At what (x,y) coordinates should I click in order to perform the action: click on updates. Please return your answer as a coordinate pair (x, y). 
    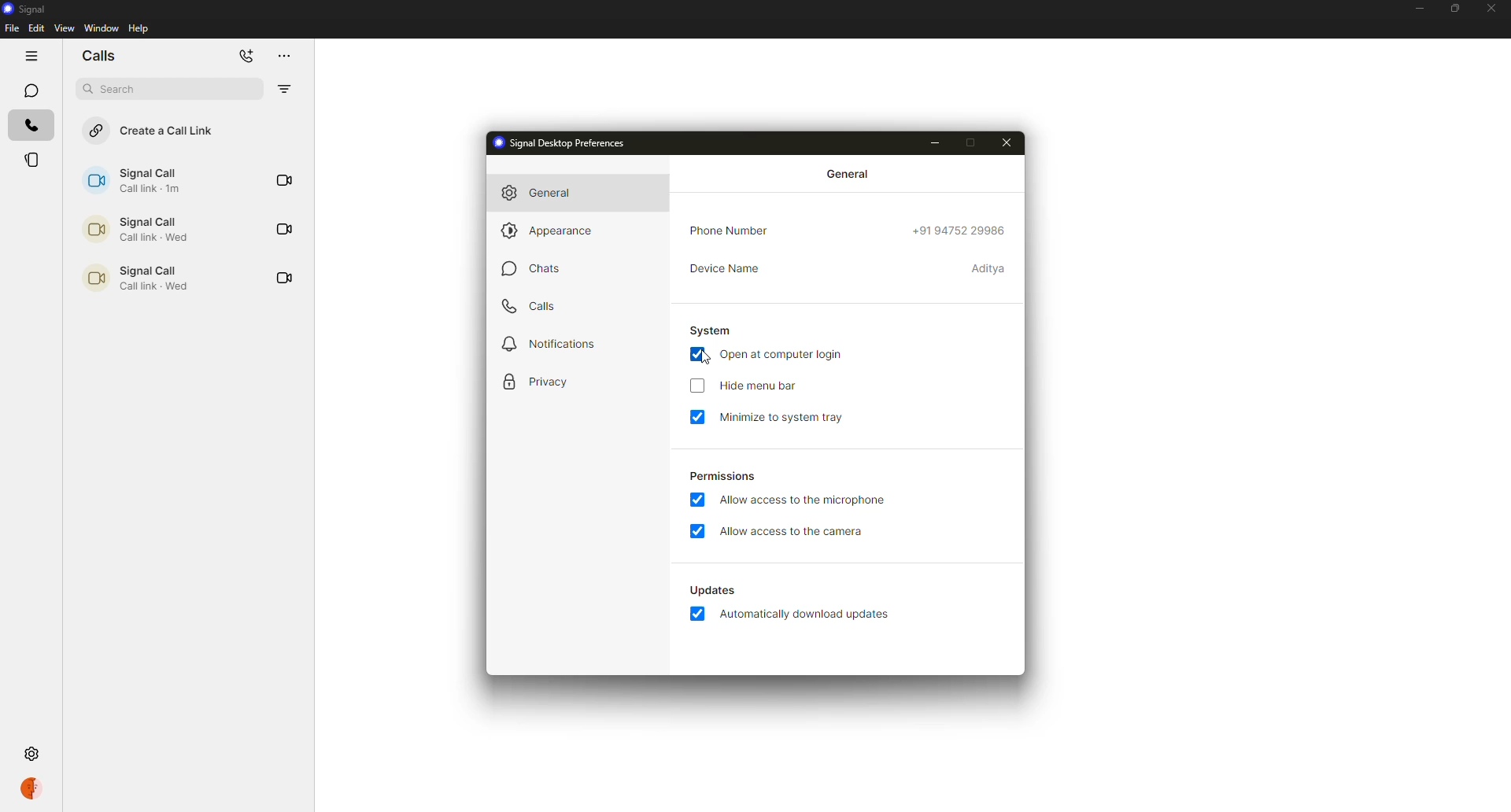
    Looking at the image, I should click on (715, 590).